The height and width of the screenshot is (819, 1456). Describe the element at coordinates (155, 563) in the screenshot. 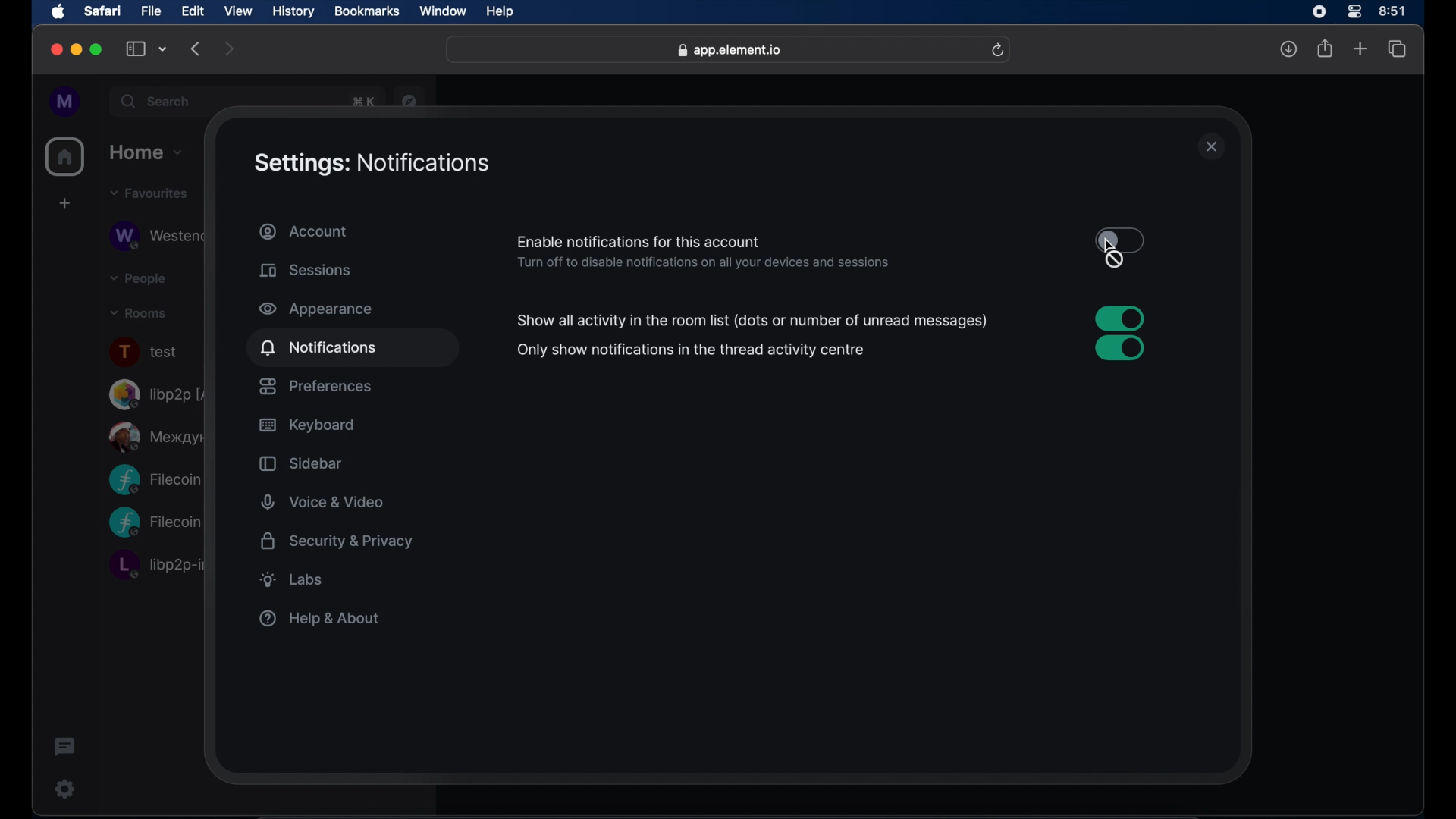

I see `libp2p` at that location.